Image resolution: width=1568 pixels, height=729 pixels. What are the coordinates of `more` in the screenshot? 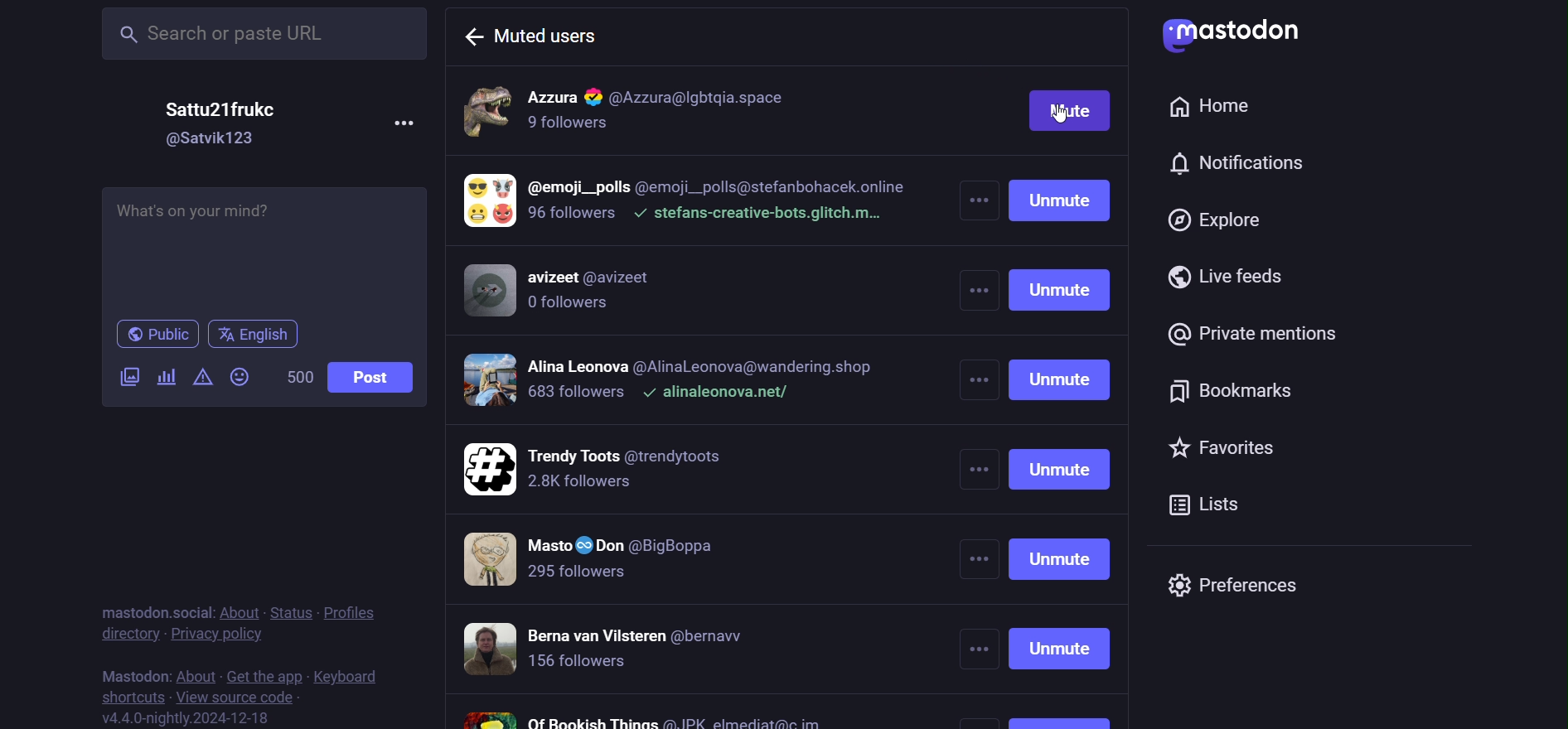 It's located at (976, 404).